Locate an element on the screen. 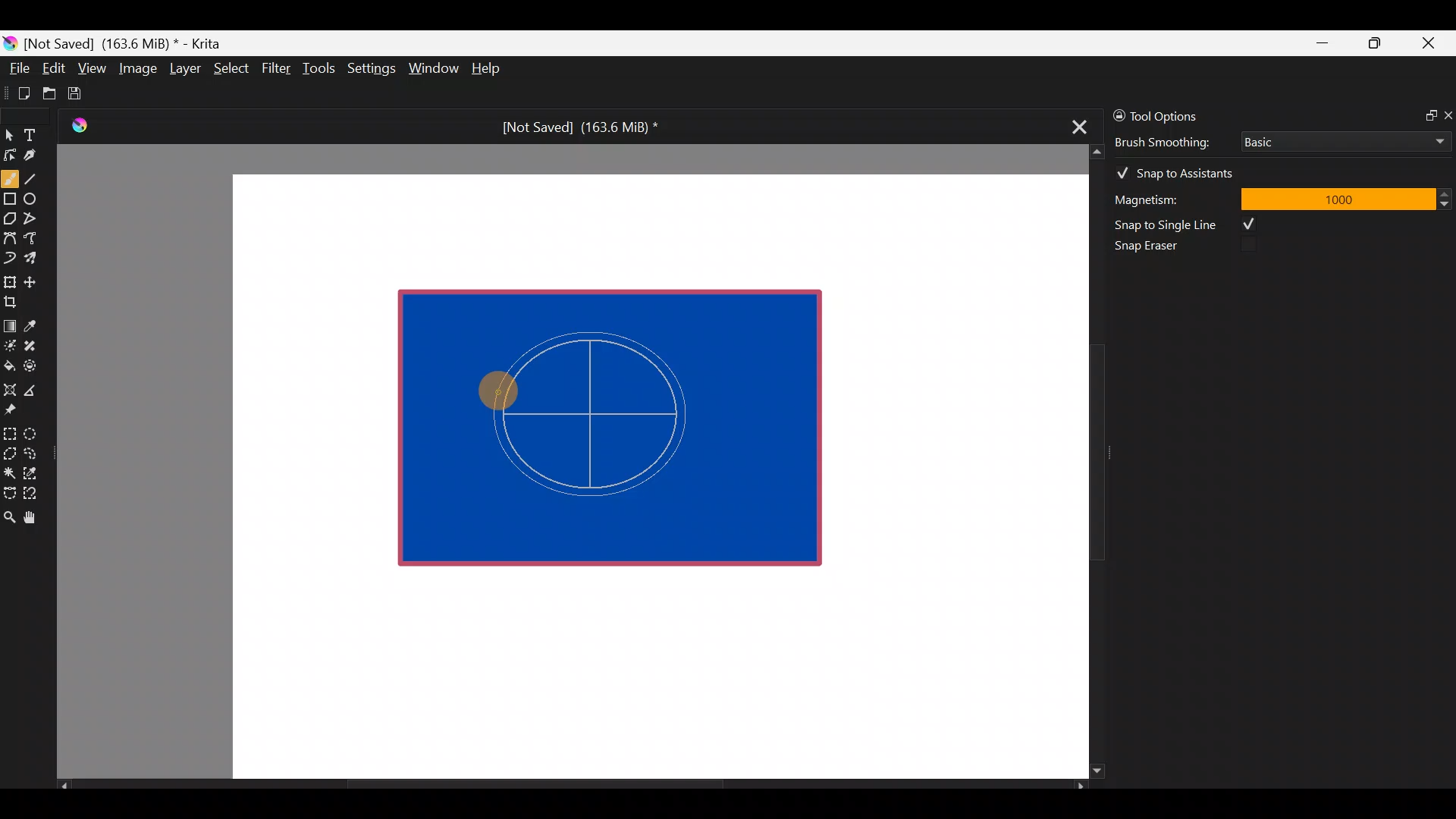  Close docker is located at coordinates (1447, 115).